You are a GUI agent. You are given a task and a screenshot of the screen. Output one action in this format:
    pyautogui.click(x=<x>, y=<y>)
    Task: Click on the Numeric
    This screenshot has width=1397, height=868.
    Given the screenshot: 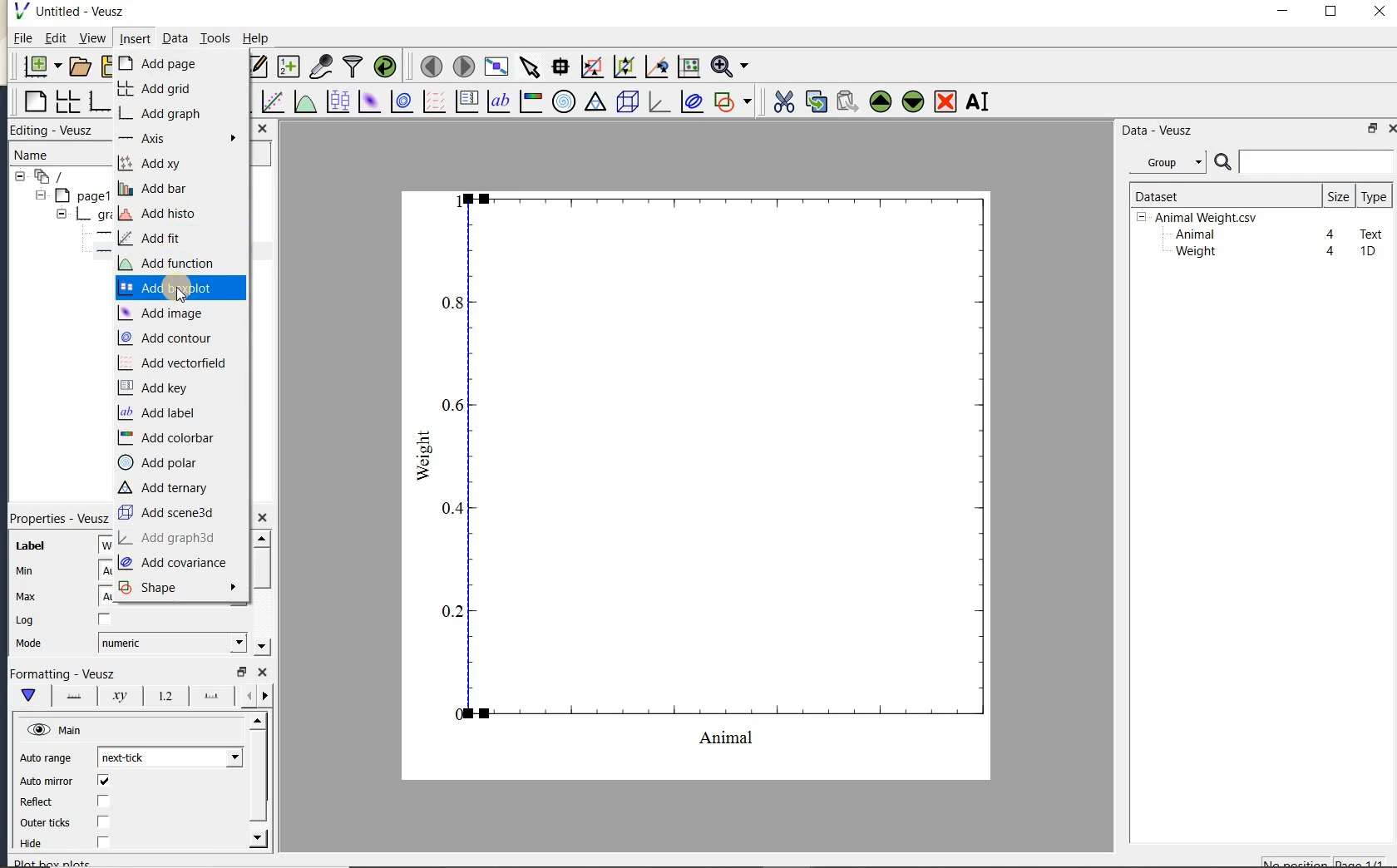 What is the action you would take?
    pyautogui.click(x=171, y=643)
    